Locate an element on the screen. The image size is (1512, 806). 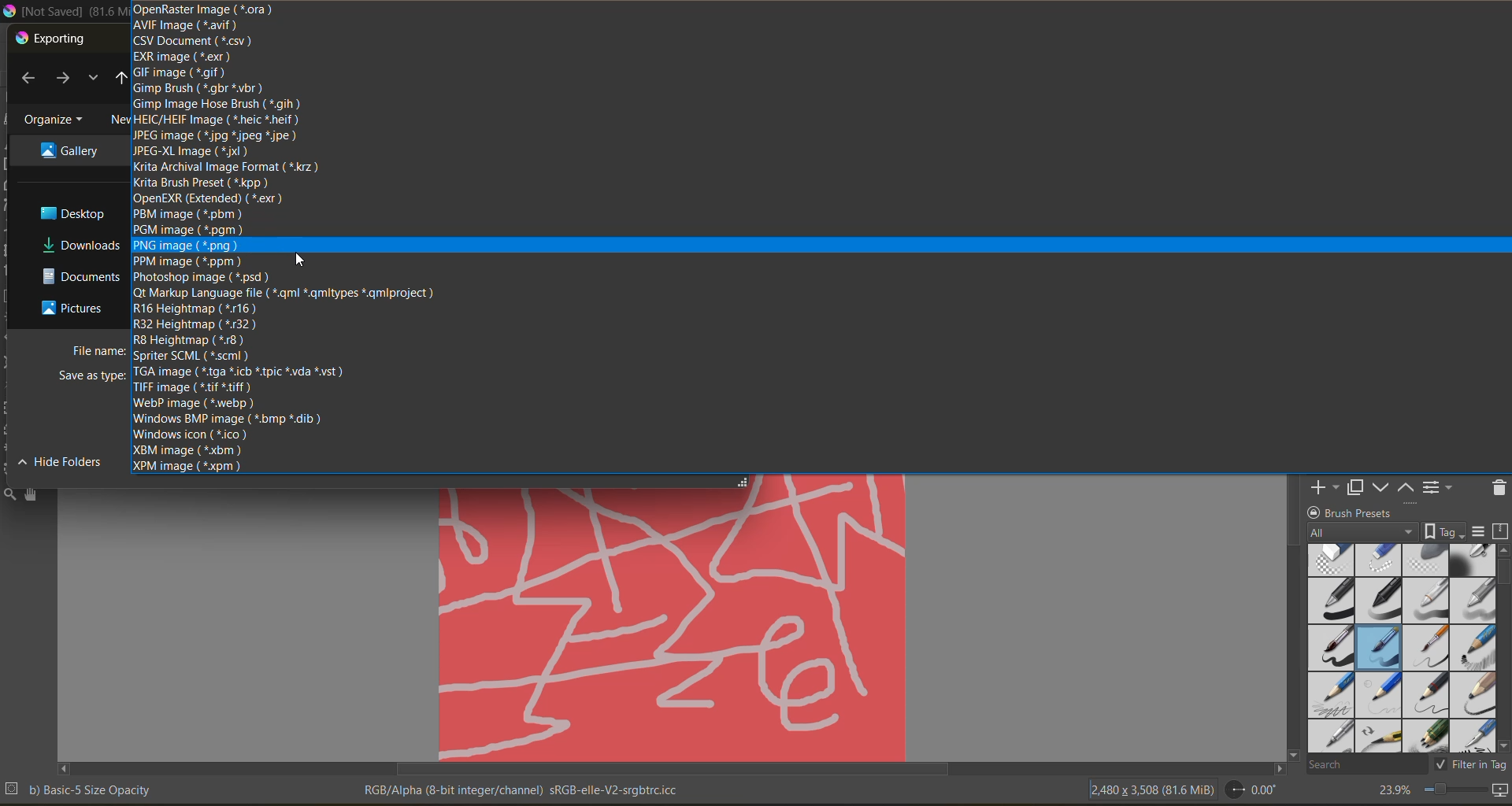
view/change layer is located at coordinates (1442, 486).